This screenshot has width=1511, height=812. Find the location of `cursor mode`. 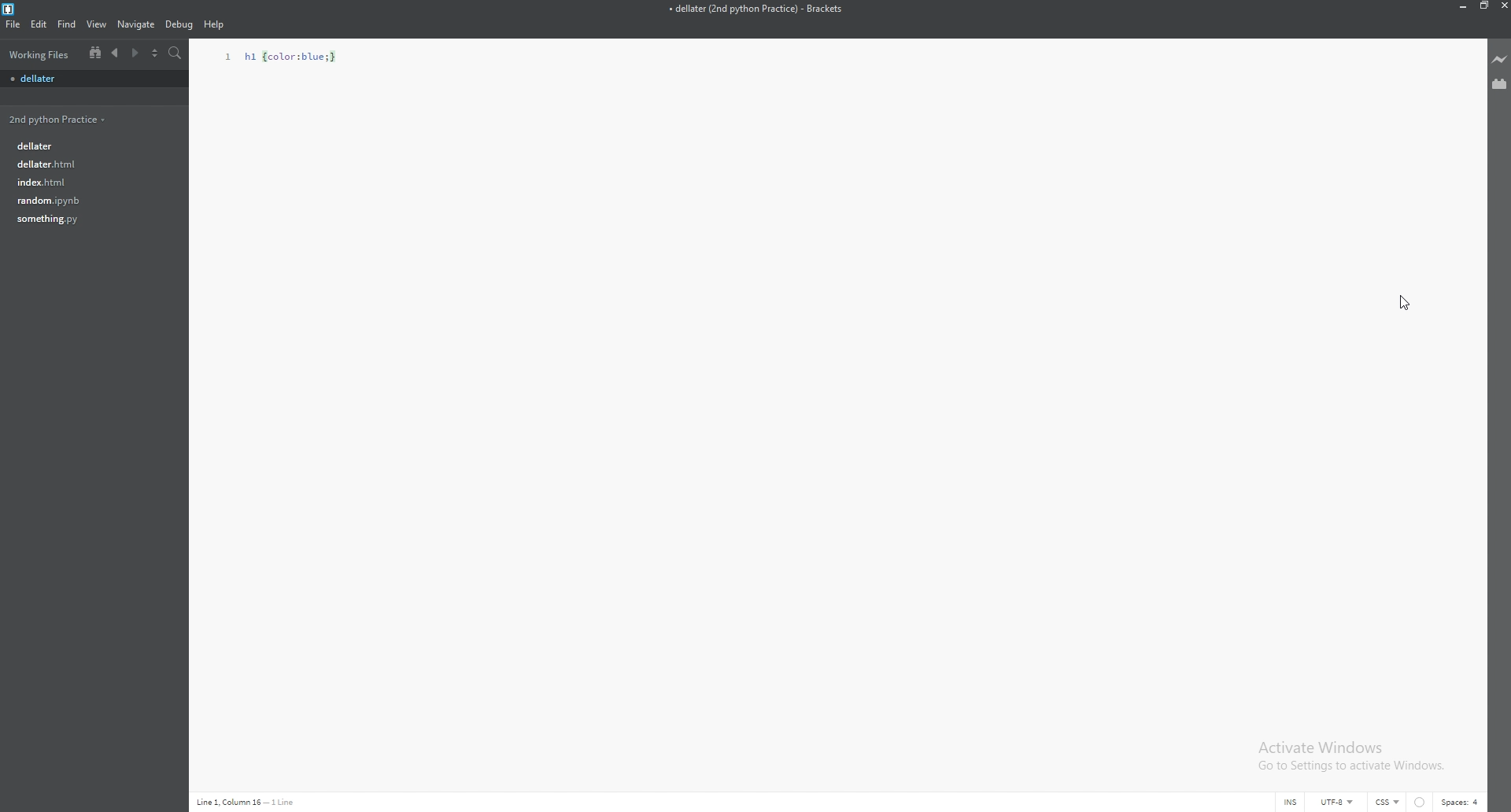

cursor mode is located at coordinates (1276, 803).